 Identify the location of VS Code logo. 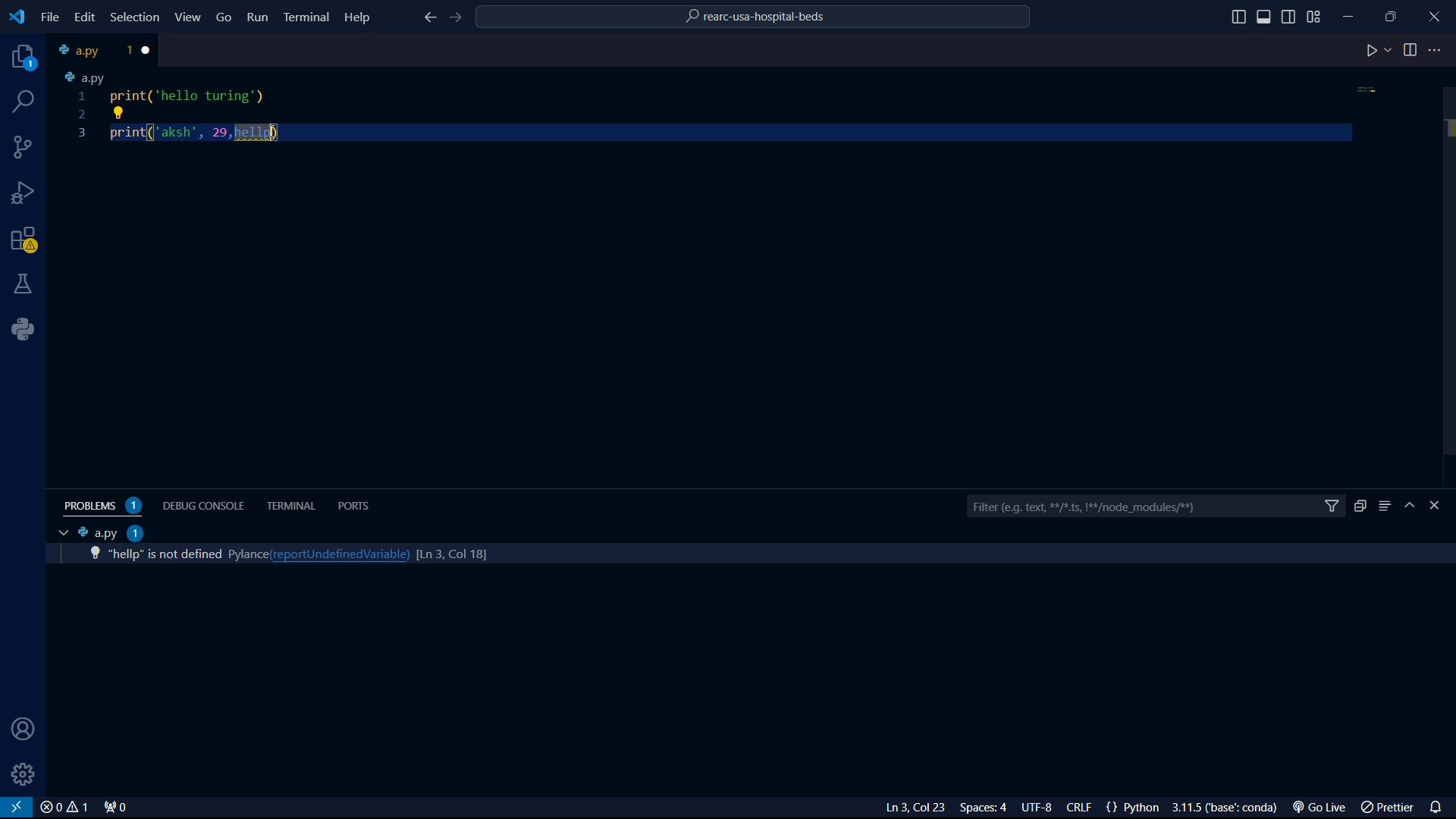
(15, 15).